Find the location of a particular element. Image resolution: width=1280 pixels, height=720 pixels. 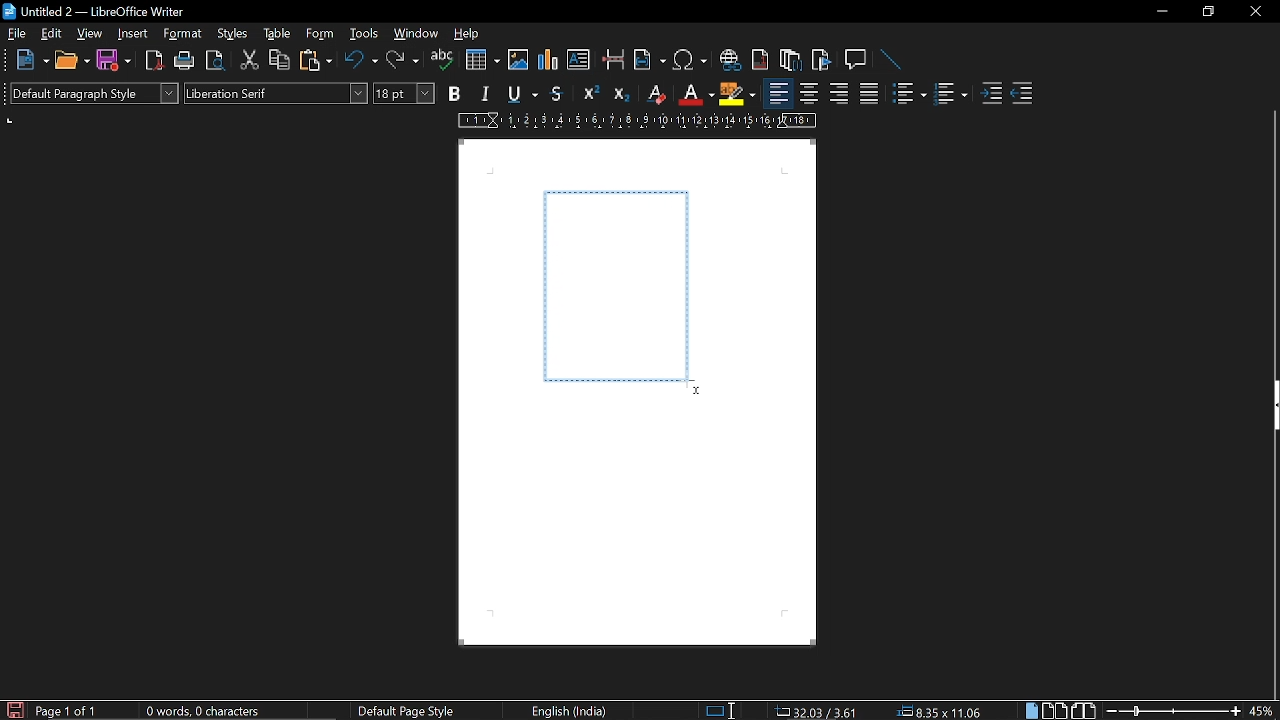

underline is located at coordinates (519, 94).